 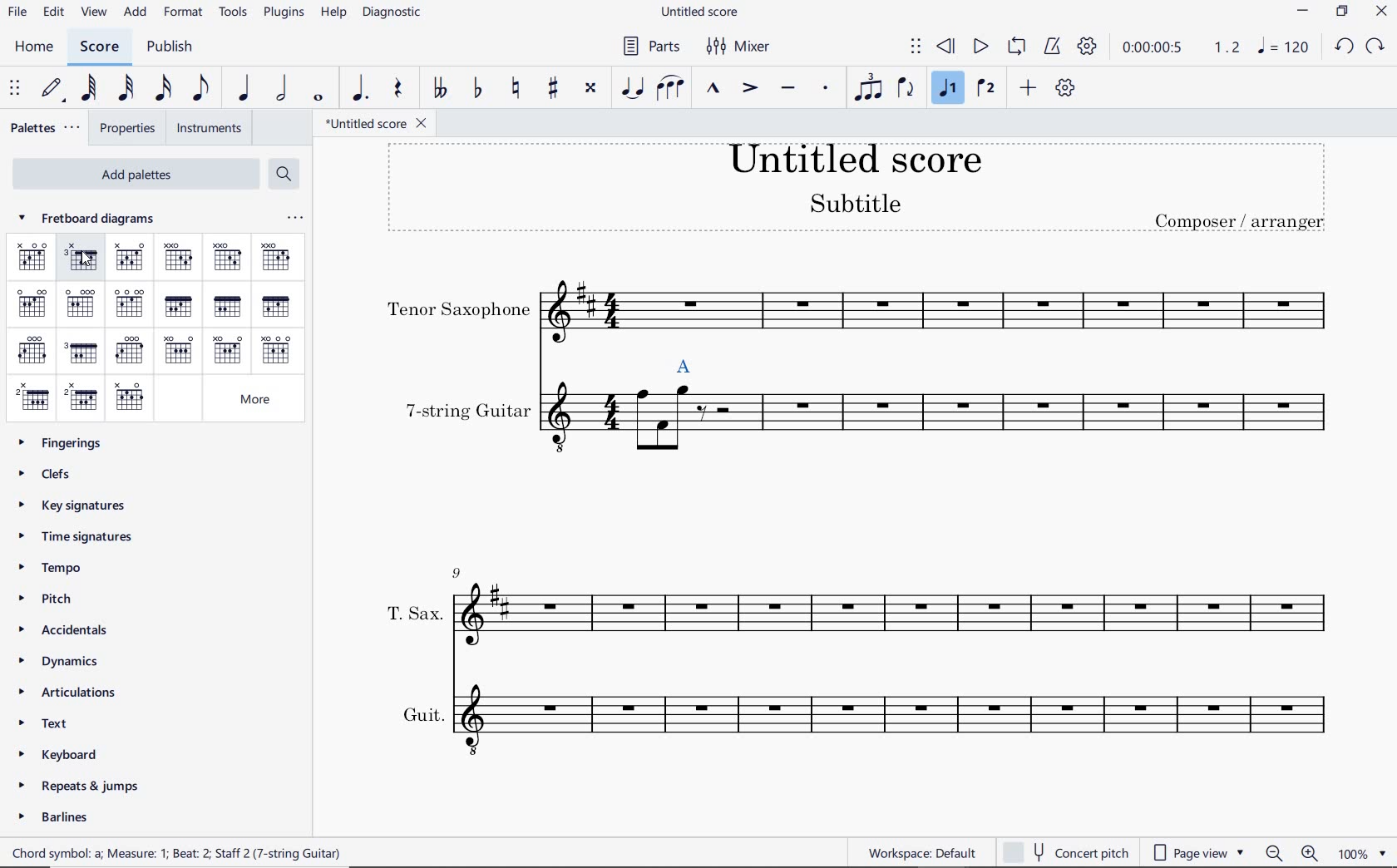 What do you see at coordinates (210, 129) in the screenshot?
I see `INSTRUMENTS` at bounding box center [210, 129].